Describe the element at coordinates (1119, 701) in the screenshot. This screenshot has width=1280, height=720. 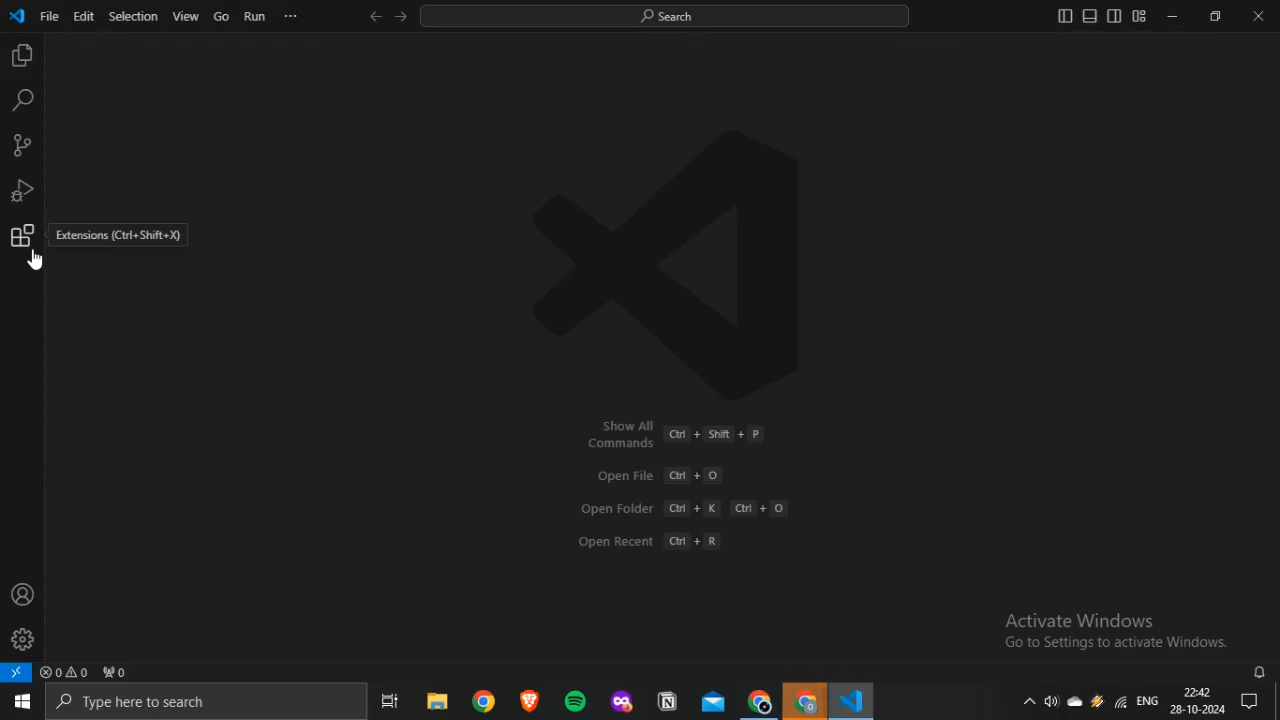
I see `Wifi` at that location.